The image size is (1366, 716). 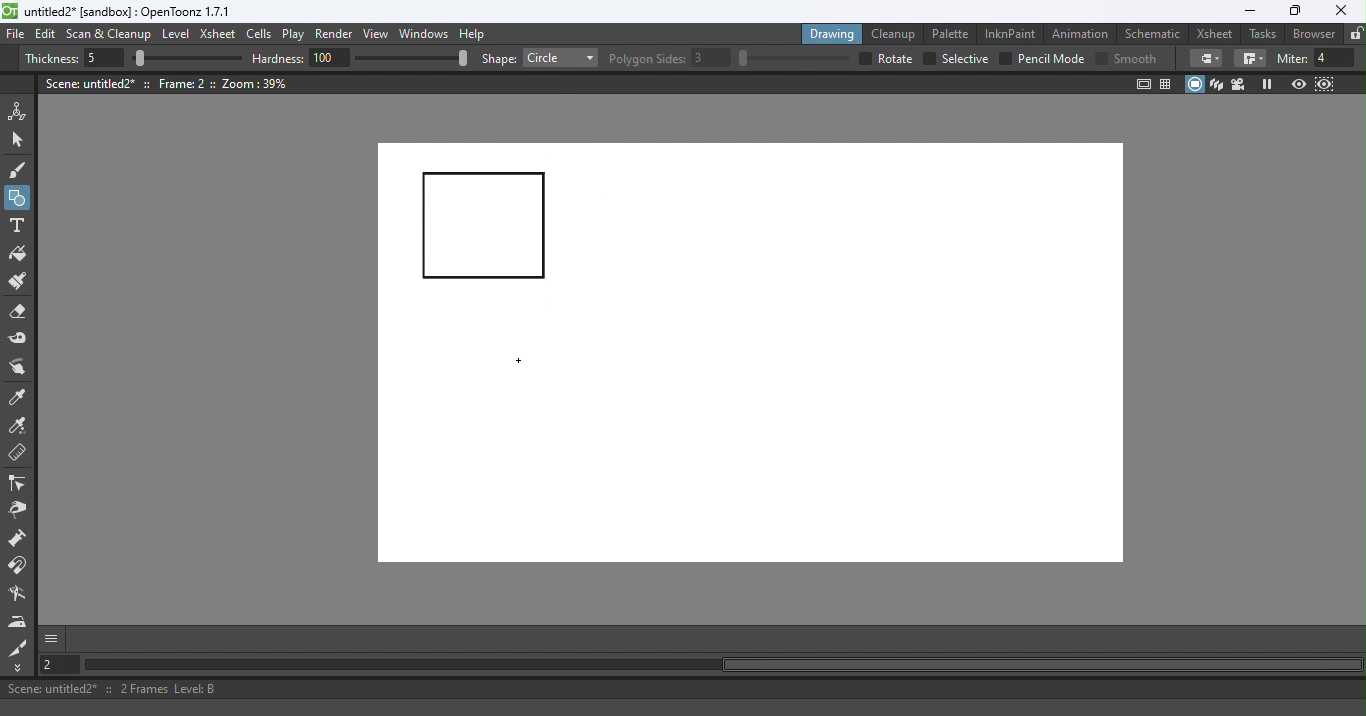 I want to click on Windows, so click(x=425, y=35).